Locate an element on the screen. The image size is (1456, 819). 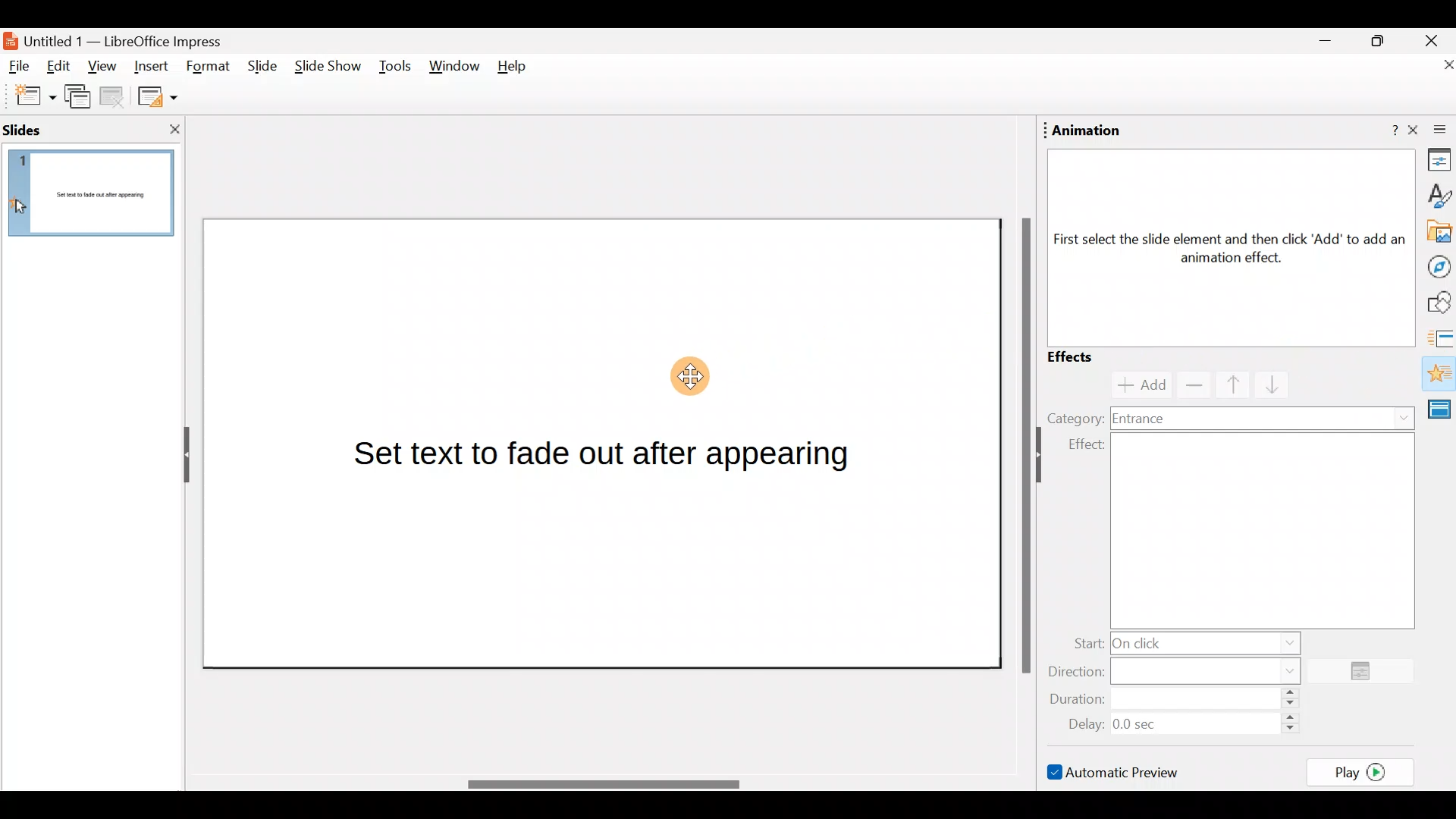
Insert is located at coordinates (151, 64).